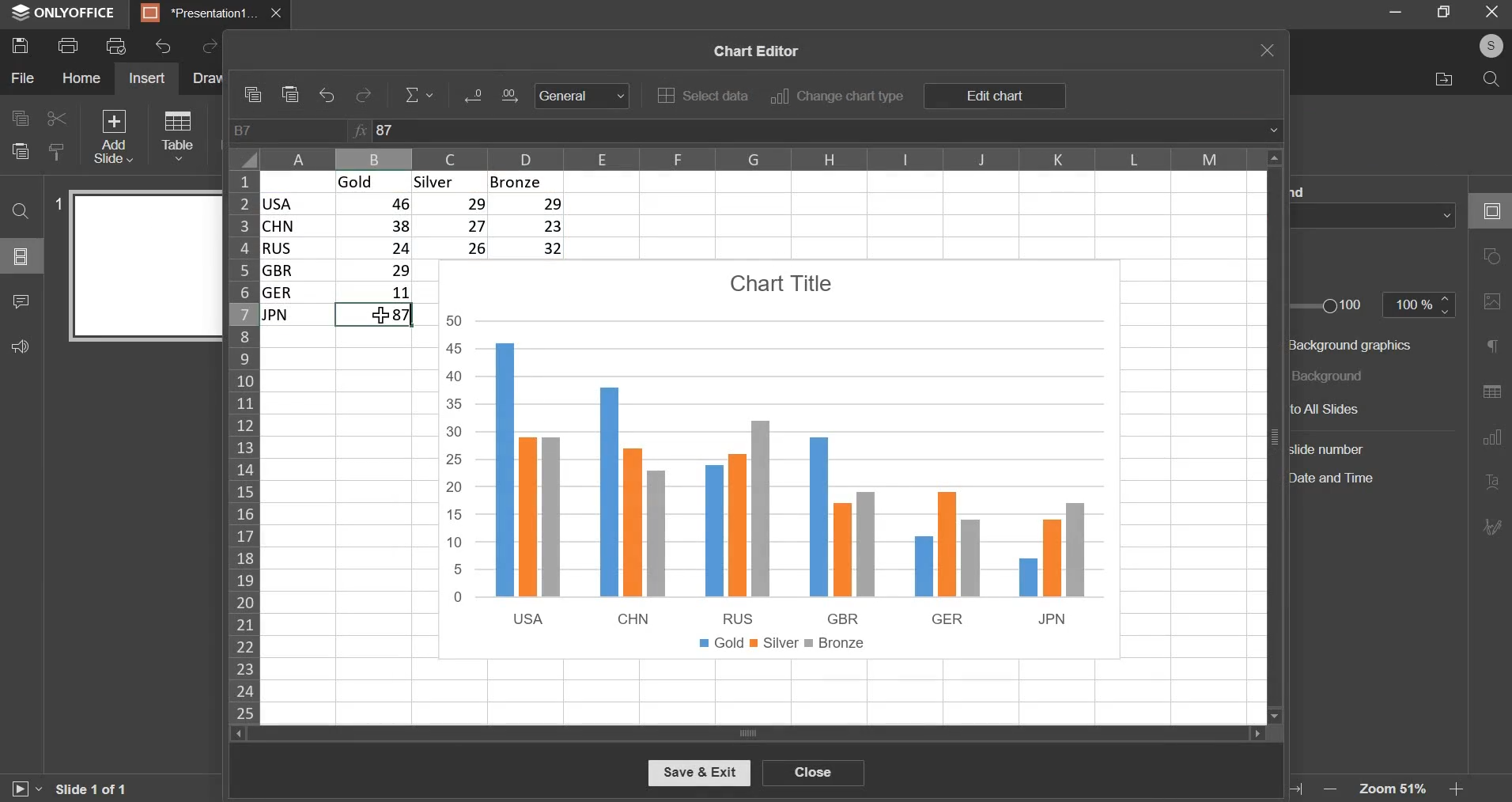 The image size is (1512, 802). What do you see at coordinates (54, 119) in the screenshot?
I see `cut` at bounding box center [54, 119].